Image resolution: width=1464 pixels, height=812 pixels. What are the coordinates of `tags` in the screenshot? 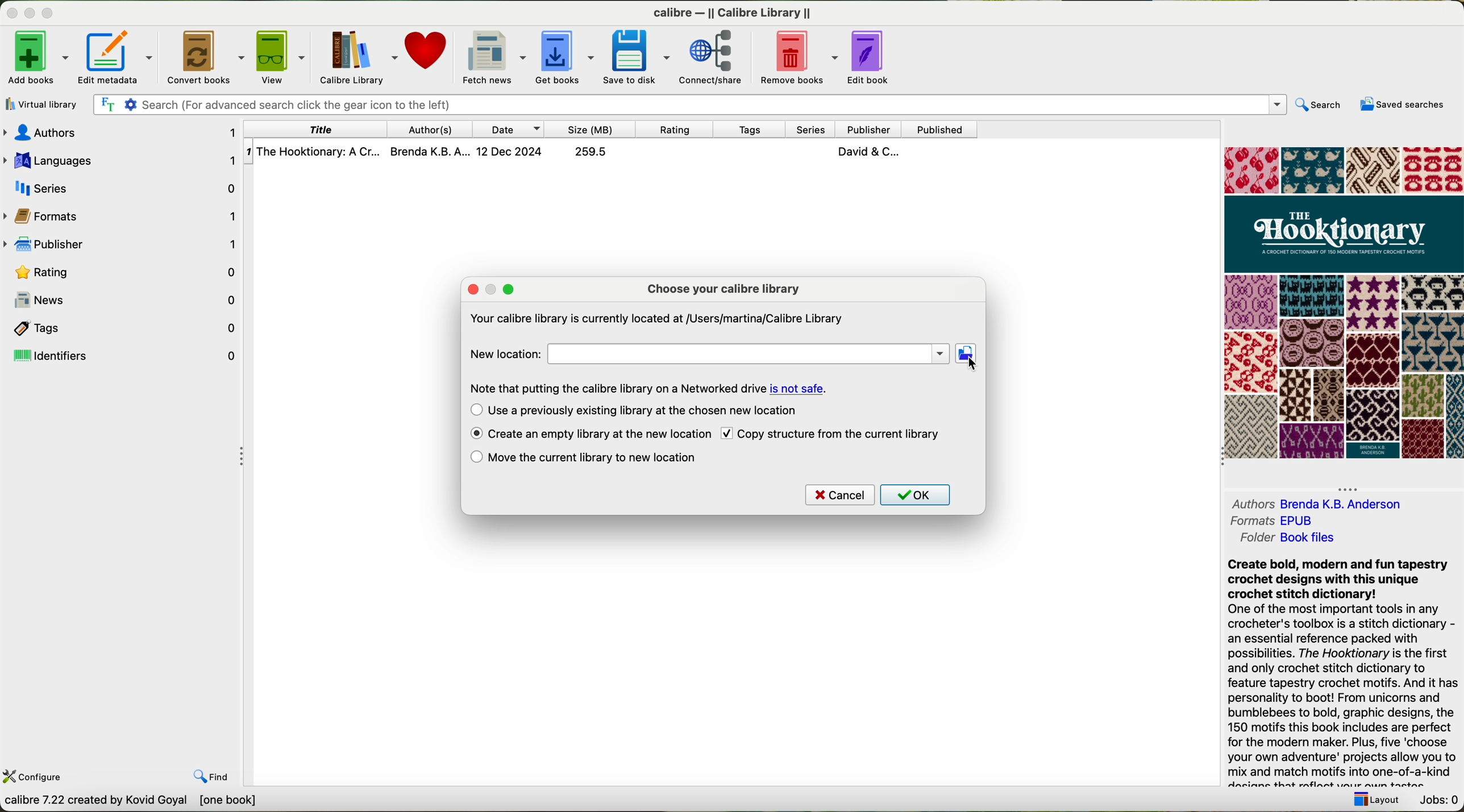 It's located at (750, 129).